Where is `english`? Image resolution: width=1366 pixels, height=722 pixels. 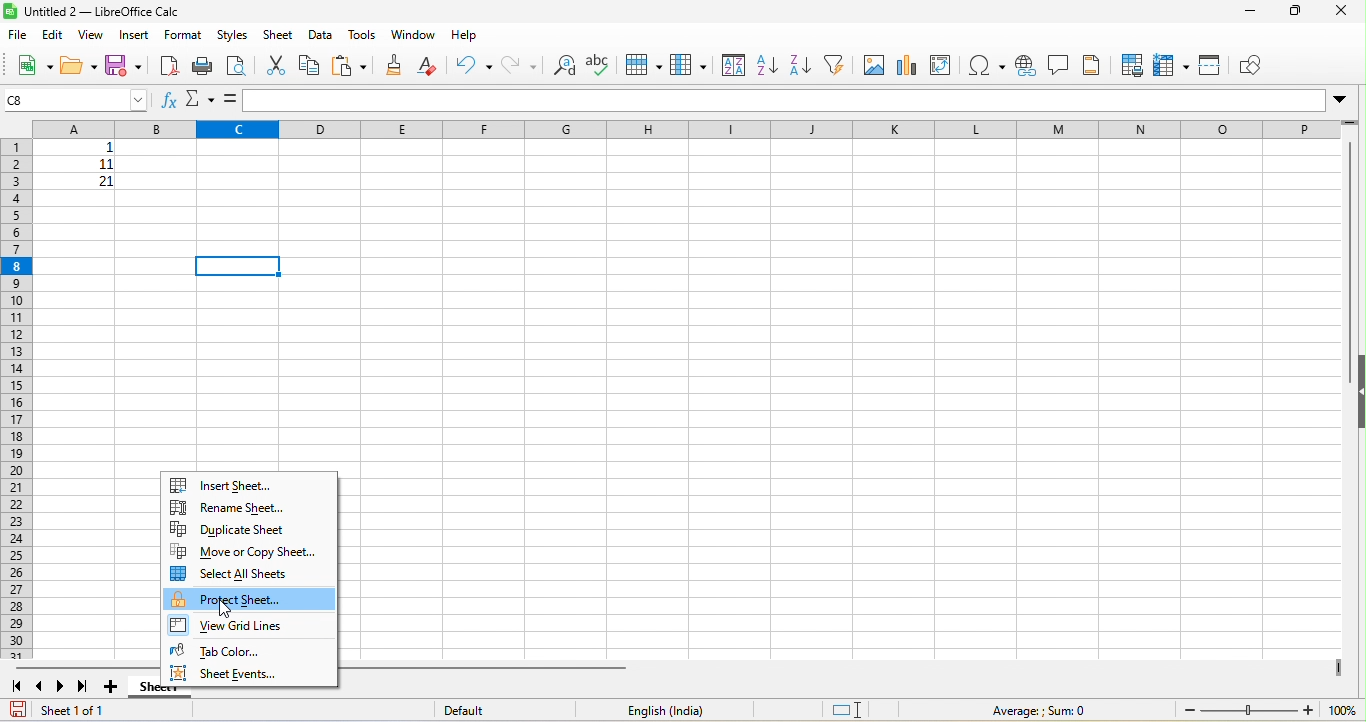 english is located at coordinates (678, 710).